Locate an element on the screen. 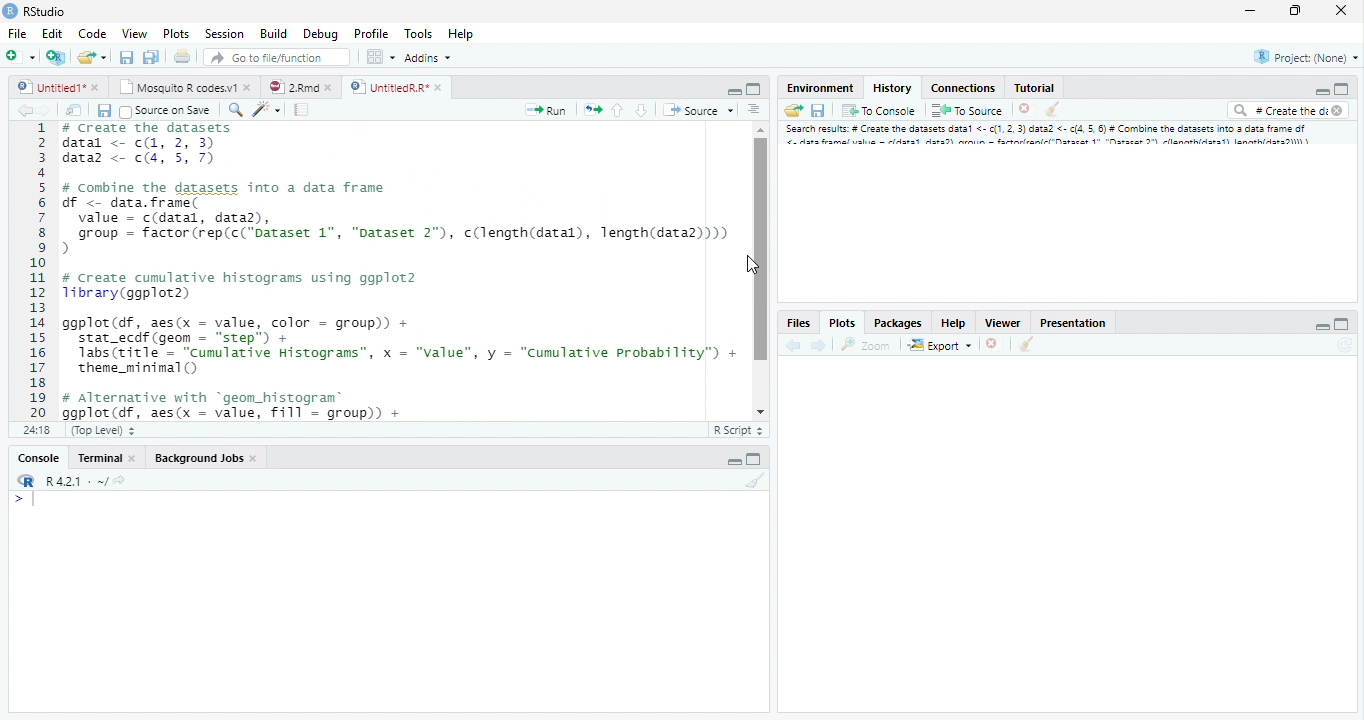 The height and width of the screenshot is (720, 1364). Zoom is located at coordinates (235, 112).